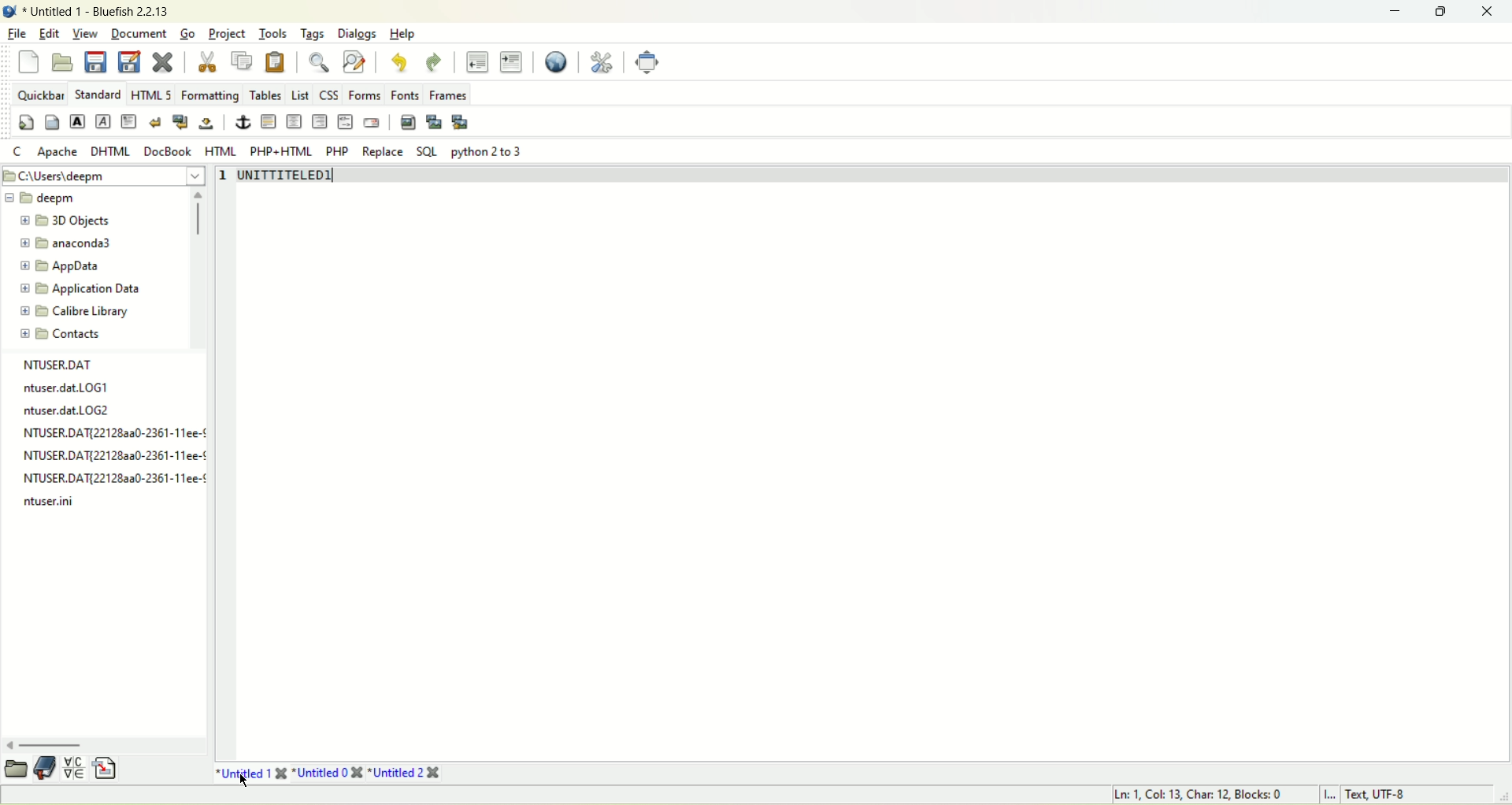  Describe the element at coordinates (57, 154) in the screenshot. I see `Apache` at that location.